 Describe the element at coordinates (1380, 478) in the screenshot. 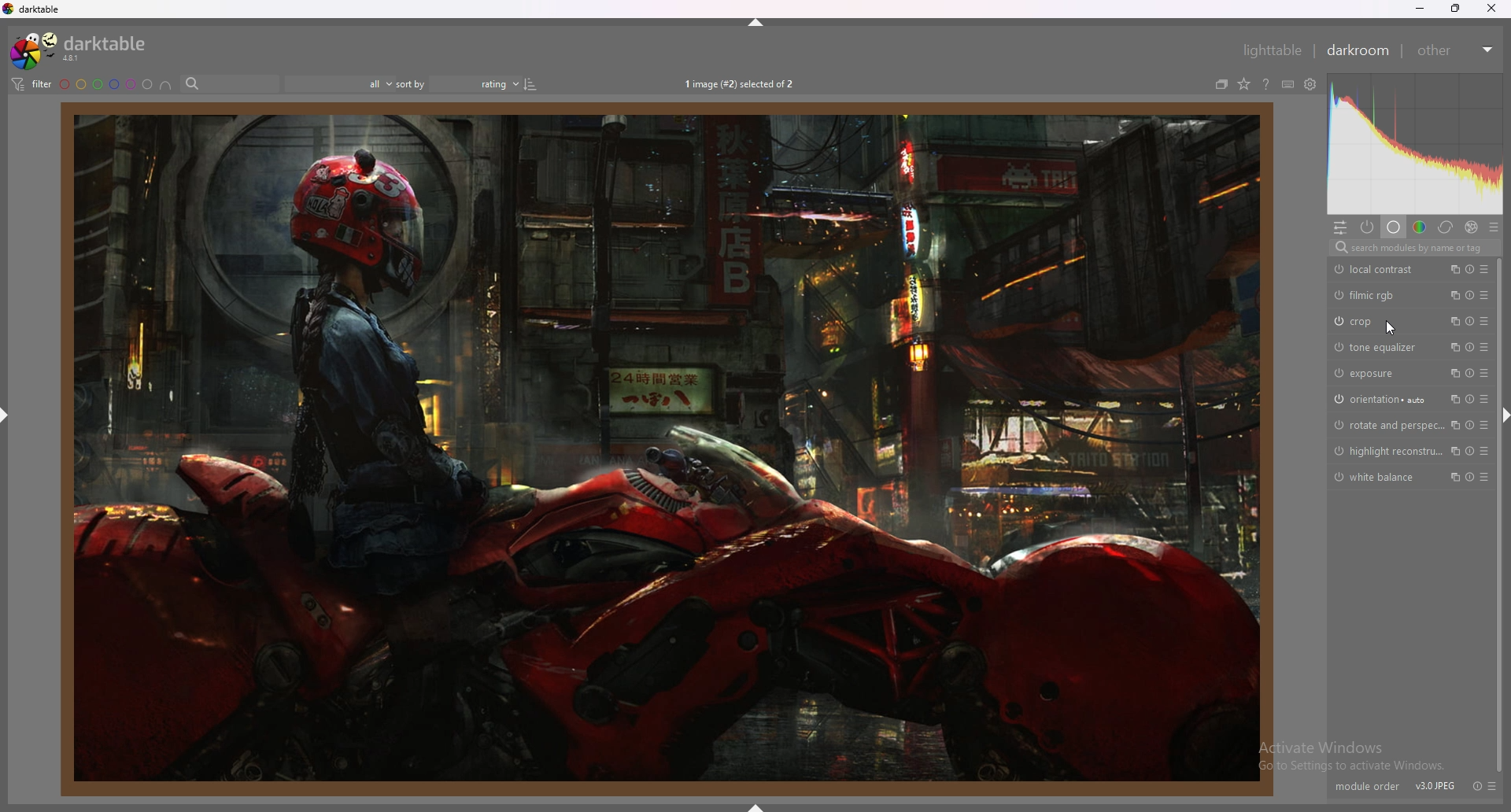

I see `white balance` at that location.